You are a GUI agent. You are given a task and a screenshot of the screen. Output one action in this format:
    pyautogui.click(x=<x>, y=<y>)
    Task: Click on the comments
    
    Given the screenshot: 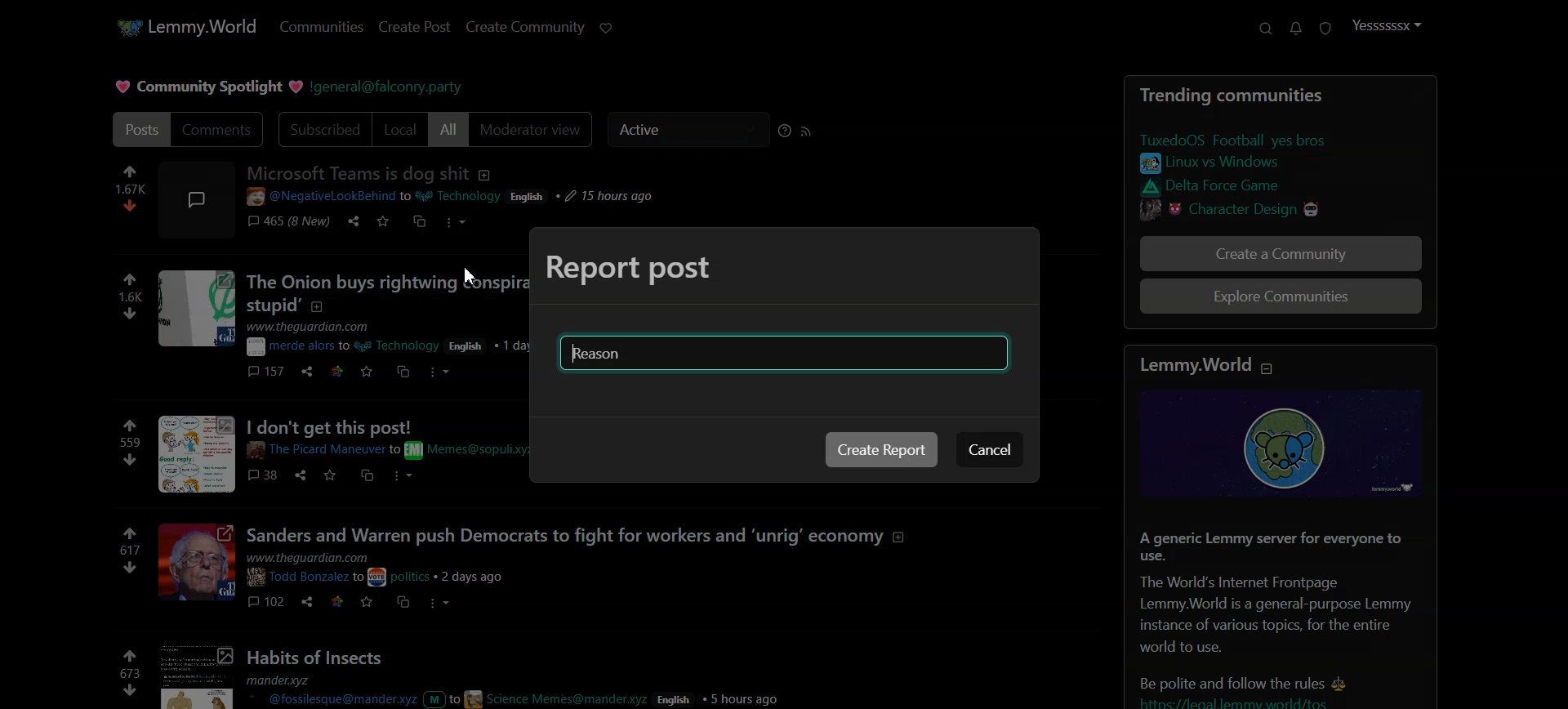 What is the action you would take?
    pyautogui.click(x=266, y=475)
    